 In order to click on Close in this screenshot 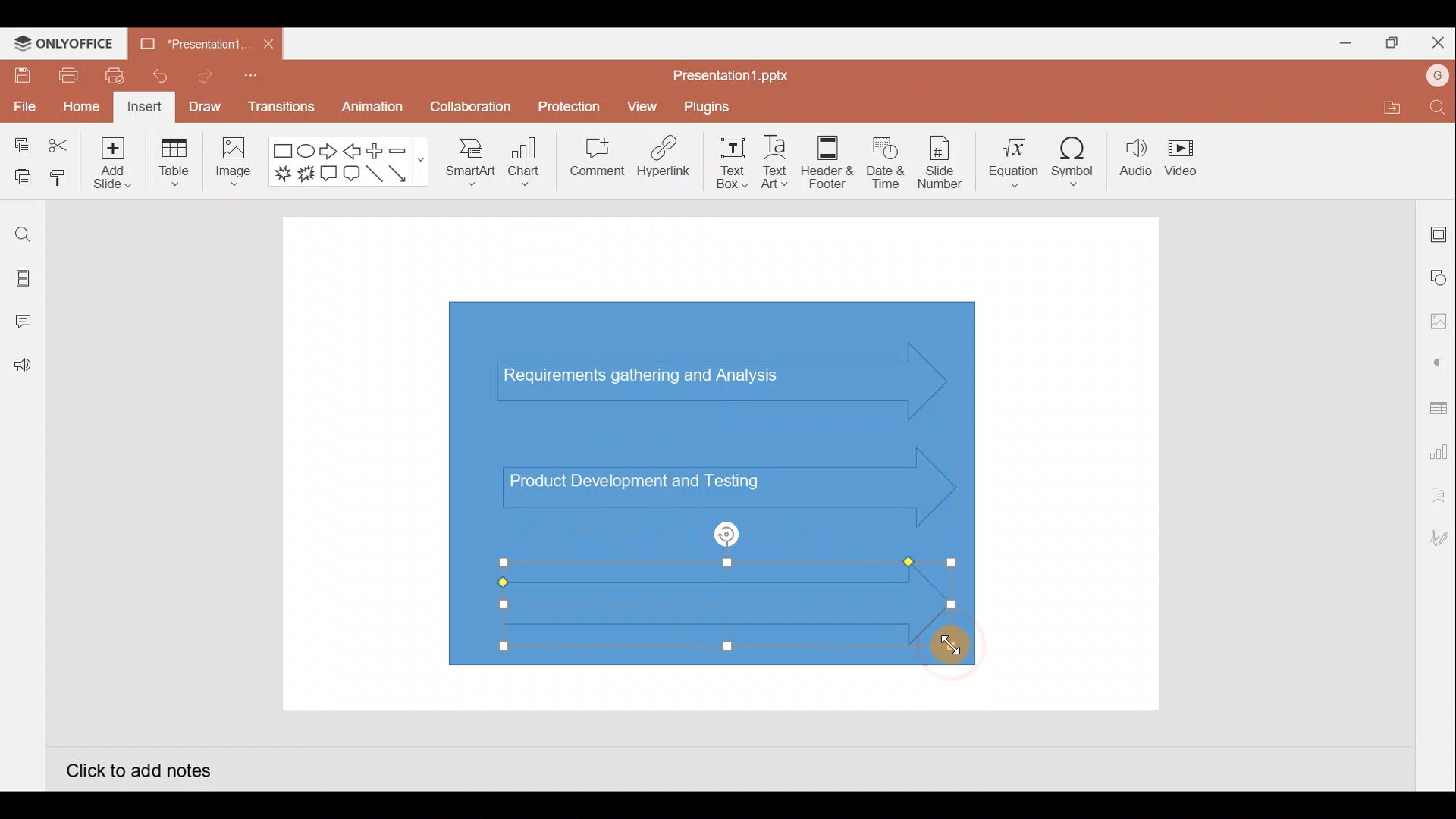, I will do `click(1435, 39)`.